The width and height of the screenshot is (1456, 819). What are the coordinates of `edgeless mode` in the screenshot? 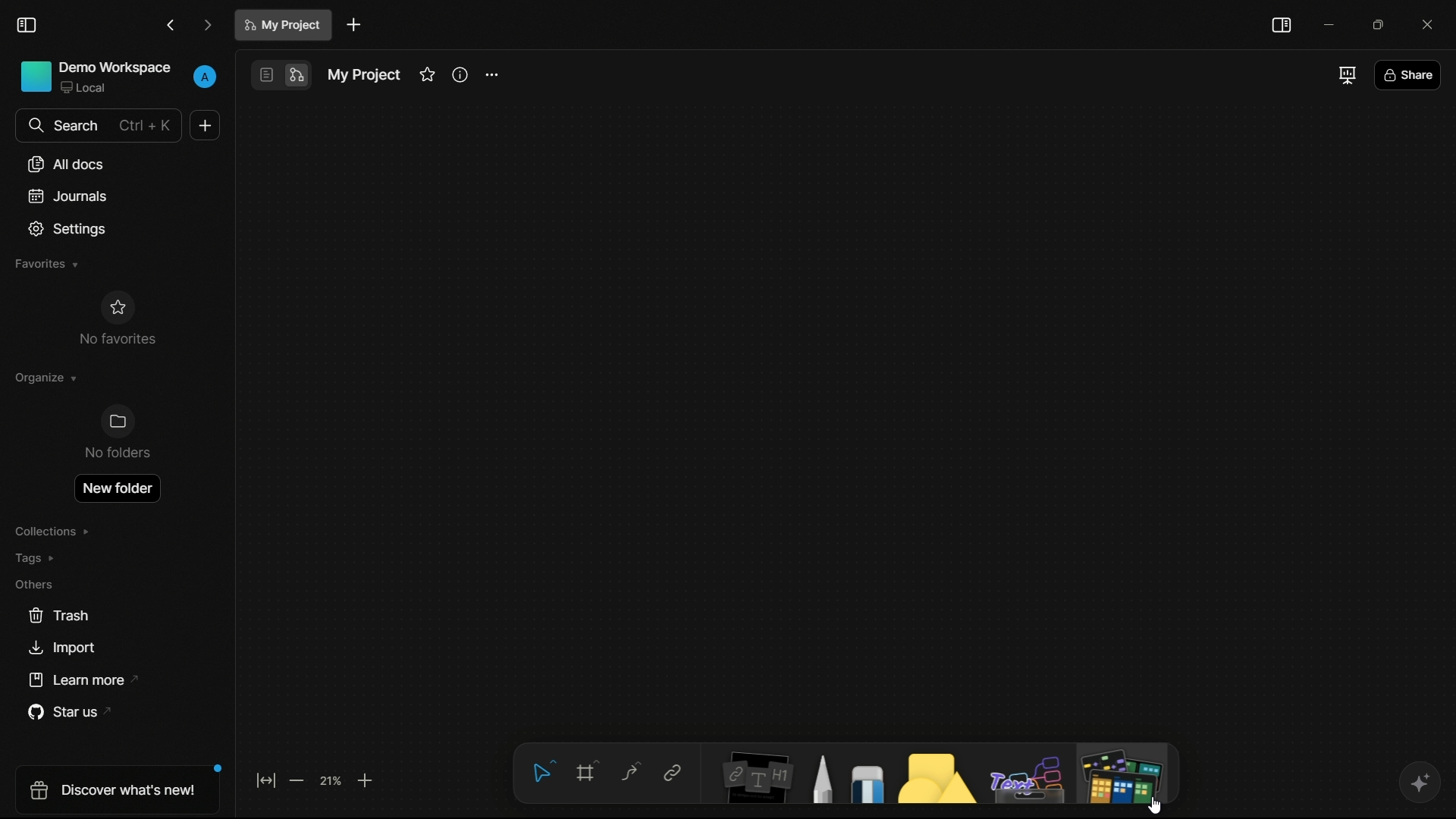 It's located at (298, 76).